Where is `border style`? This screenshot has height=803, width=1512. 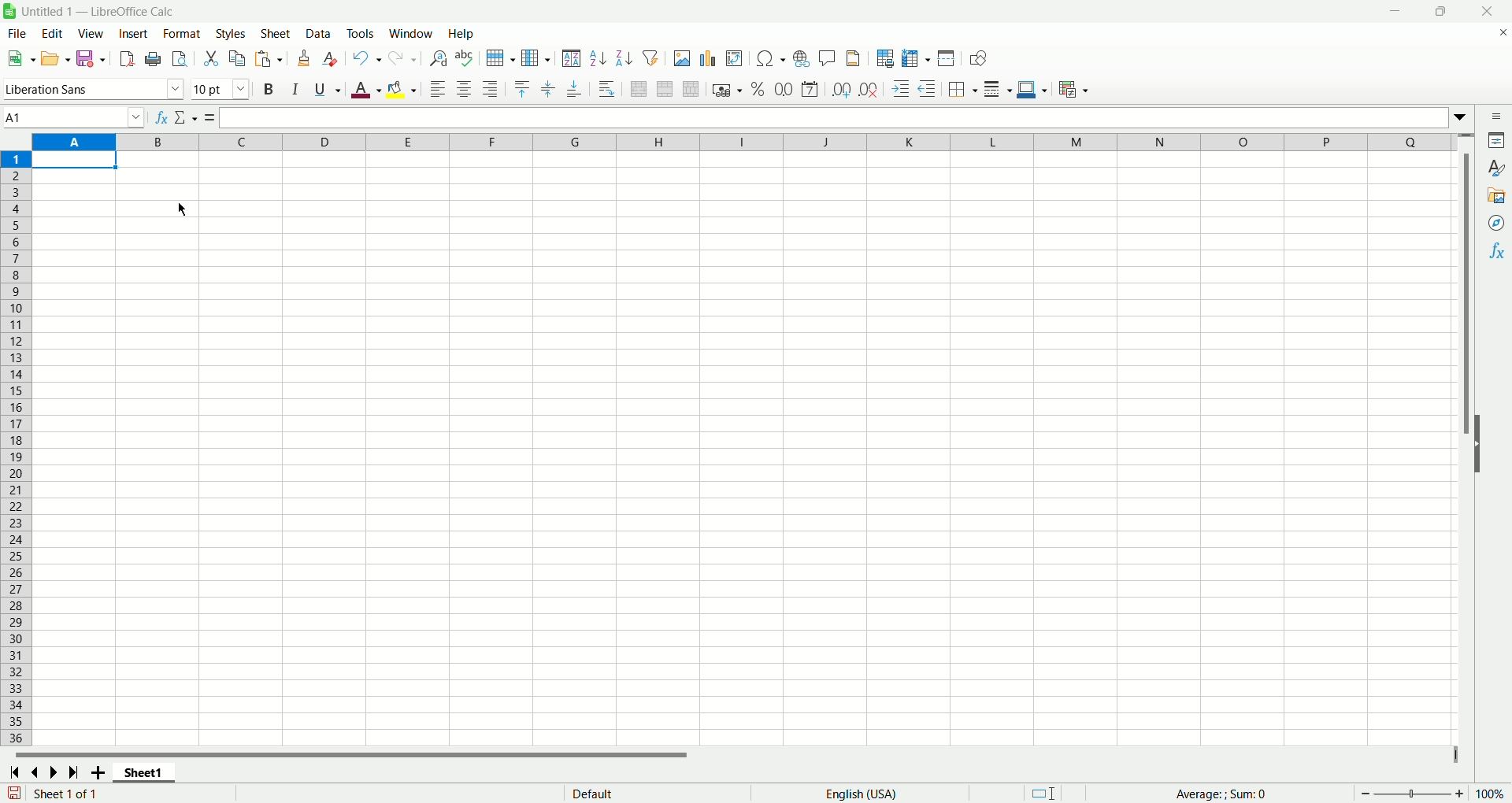 border style is located at coordinates (997, 91).